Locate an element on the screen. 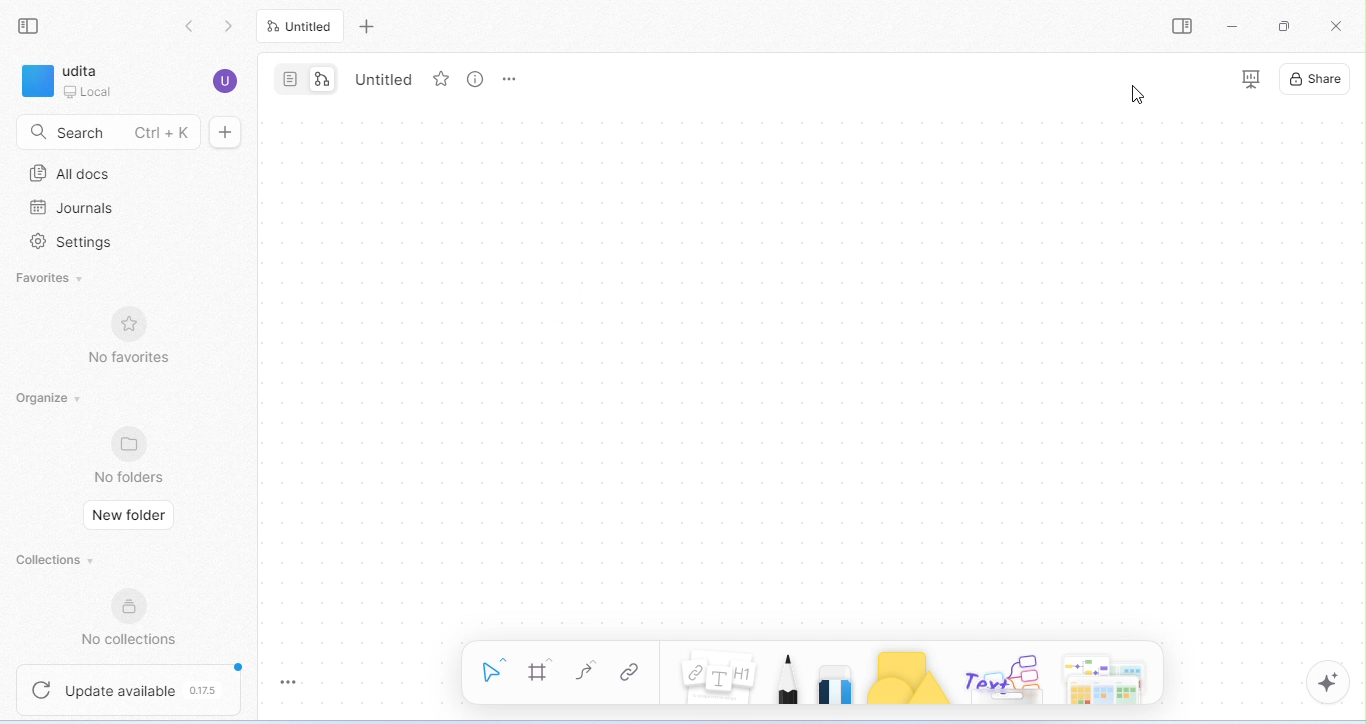 The image size is (1366, 724). update available is located at coordinates (130, 687).